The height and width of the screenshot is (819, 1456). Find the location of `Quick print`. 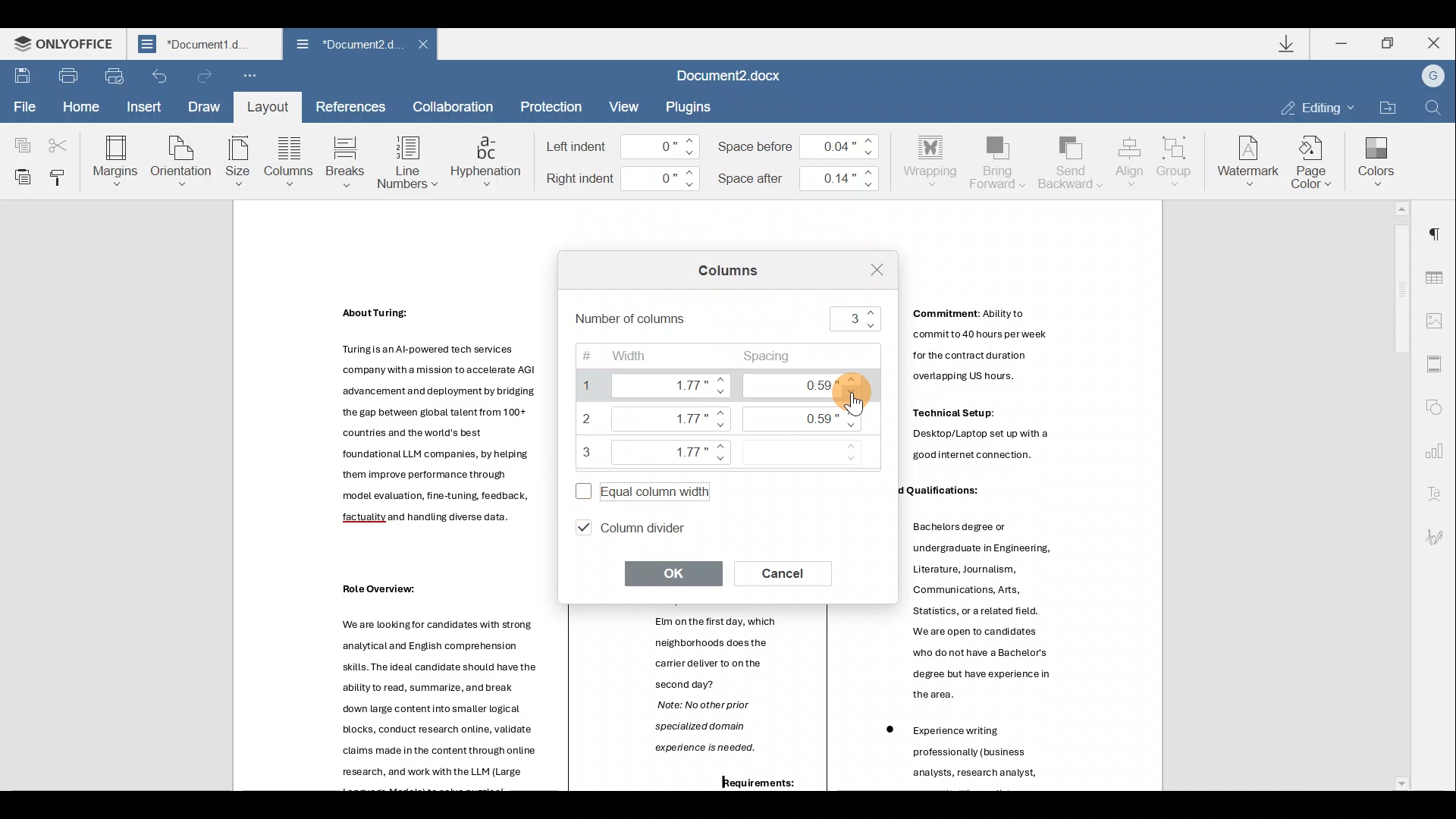

Quick print is located at coordinates (115, 74).